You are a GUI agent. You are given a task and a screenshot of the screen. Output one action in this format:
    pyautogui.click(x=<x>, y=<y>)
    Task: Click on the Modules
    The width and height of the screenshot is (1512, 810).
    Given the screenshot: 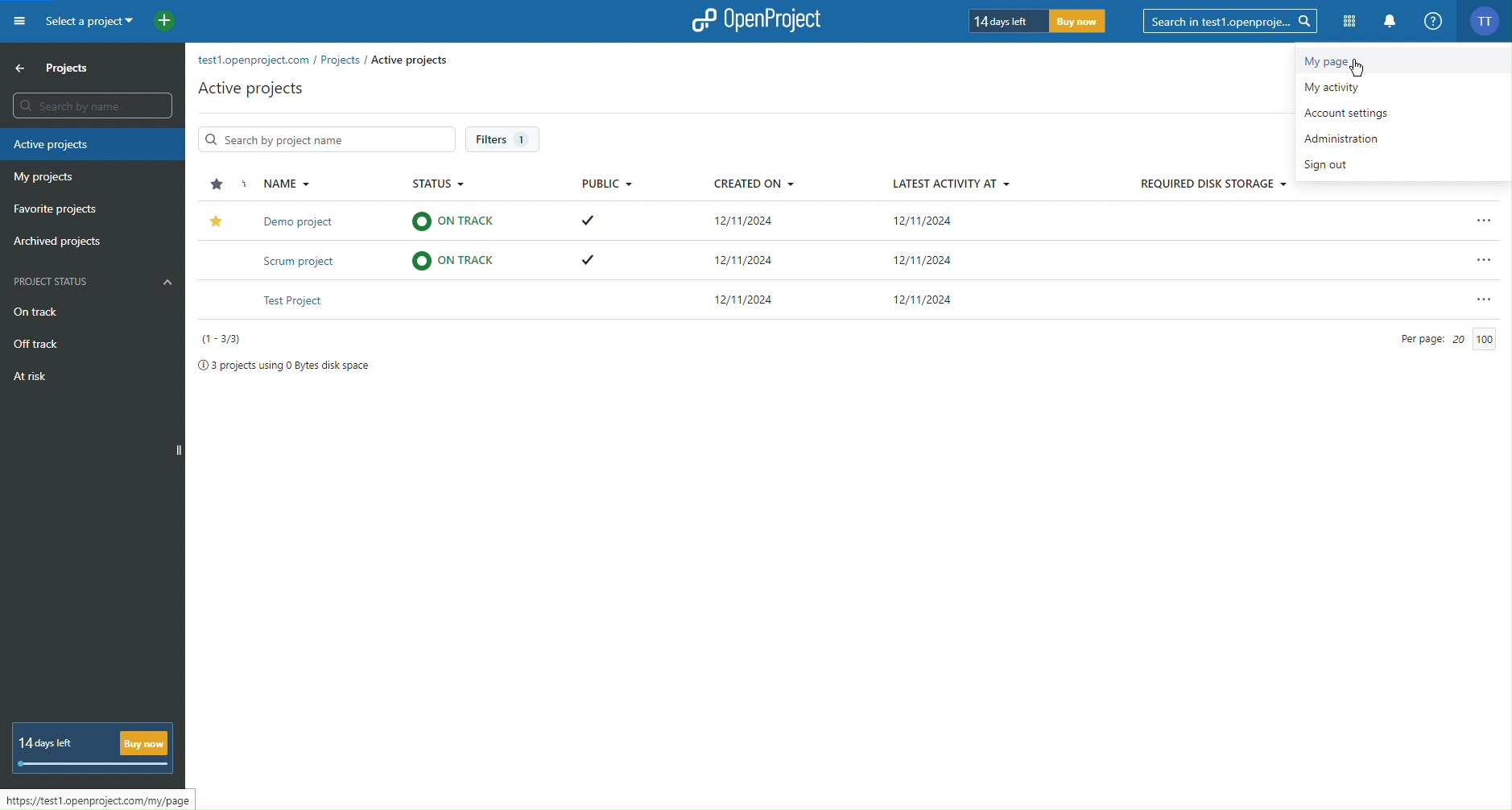 What is the action you would take?
    pyautogui.click(x=1350, y=21)
    